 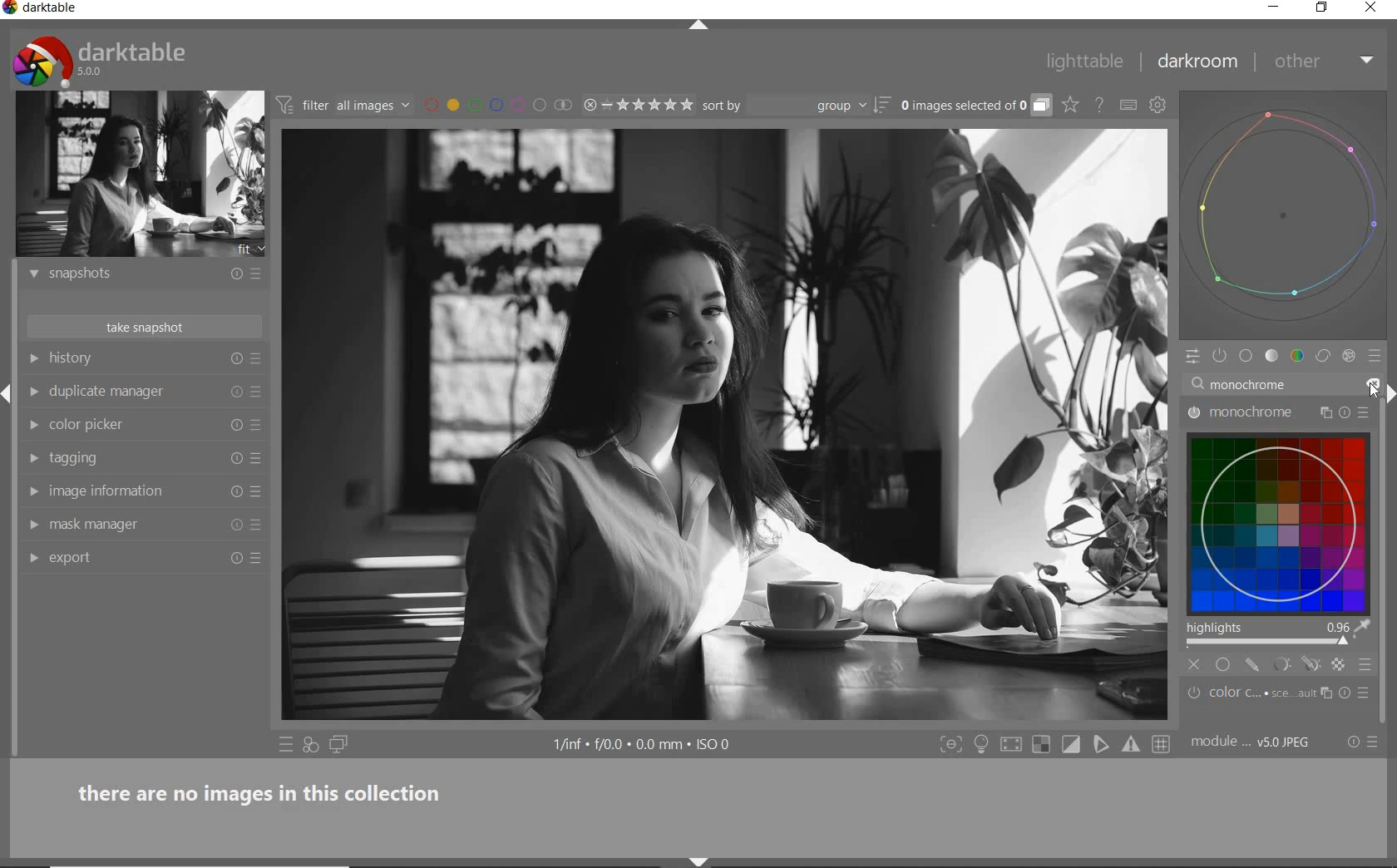 I want to click on cursor, so click(x=1372, y=395).